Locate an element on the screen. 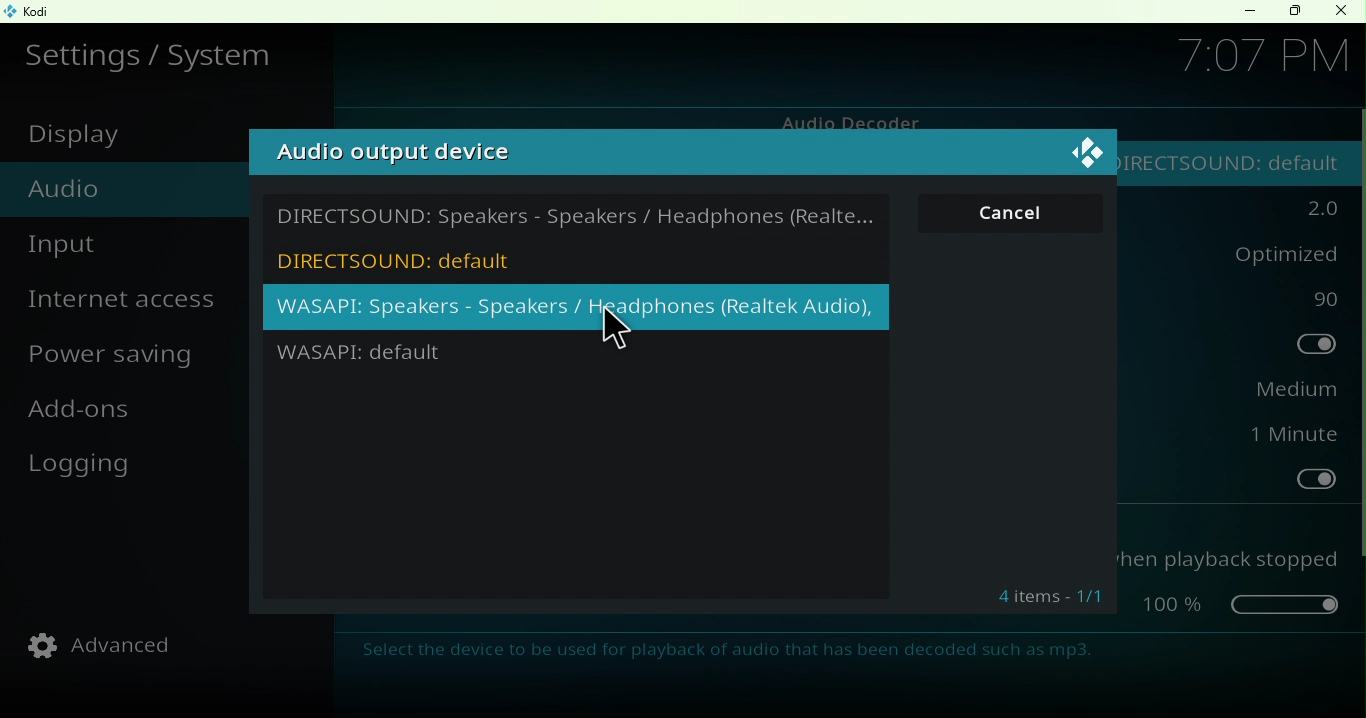  2.0 is located at coordinates (1301, 209).